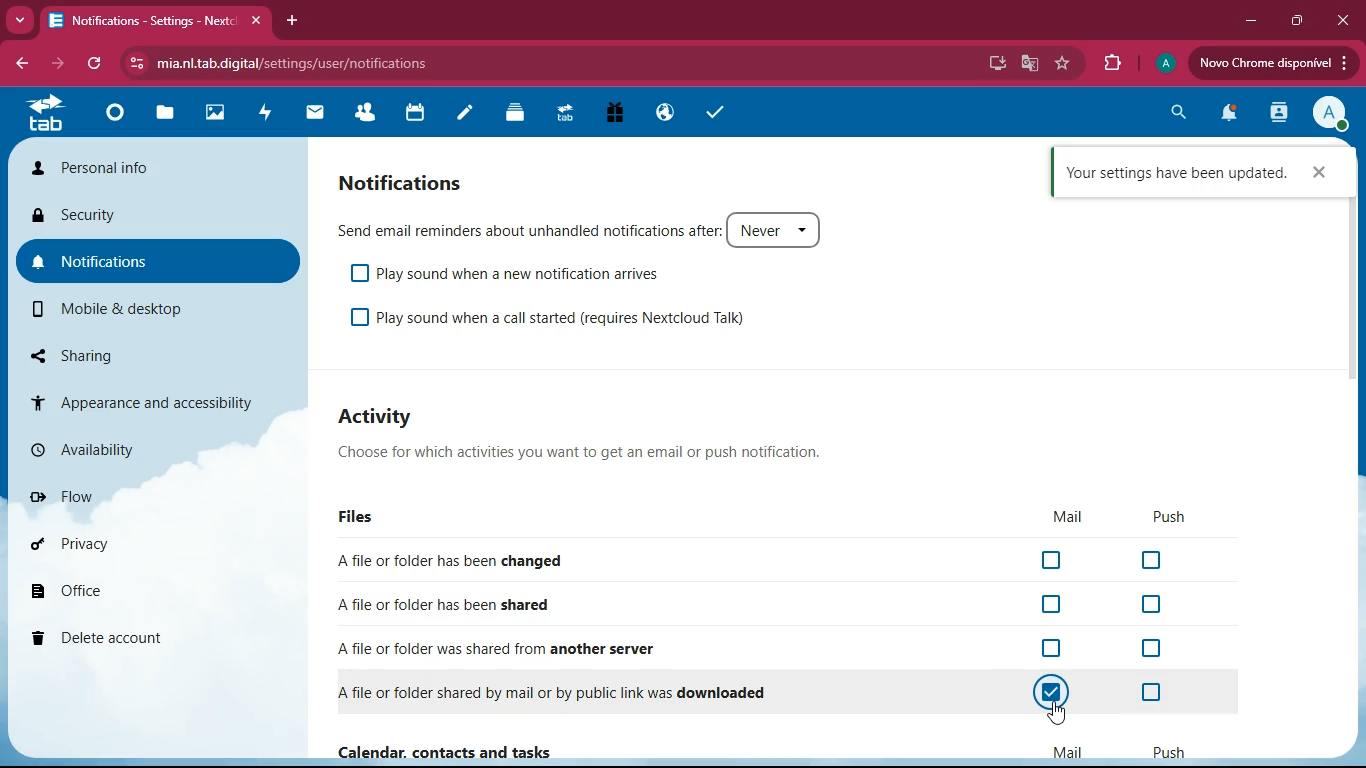  I want to click on off, so click(1051, 606).